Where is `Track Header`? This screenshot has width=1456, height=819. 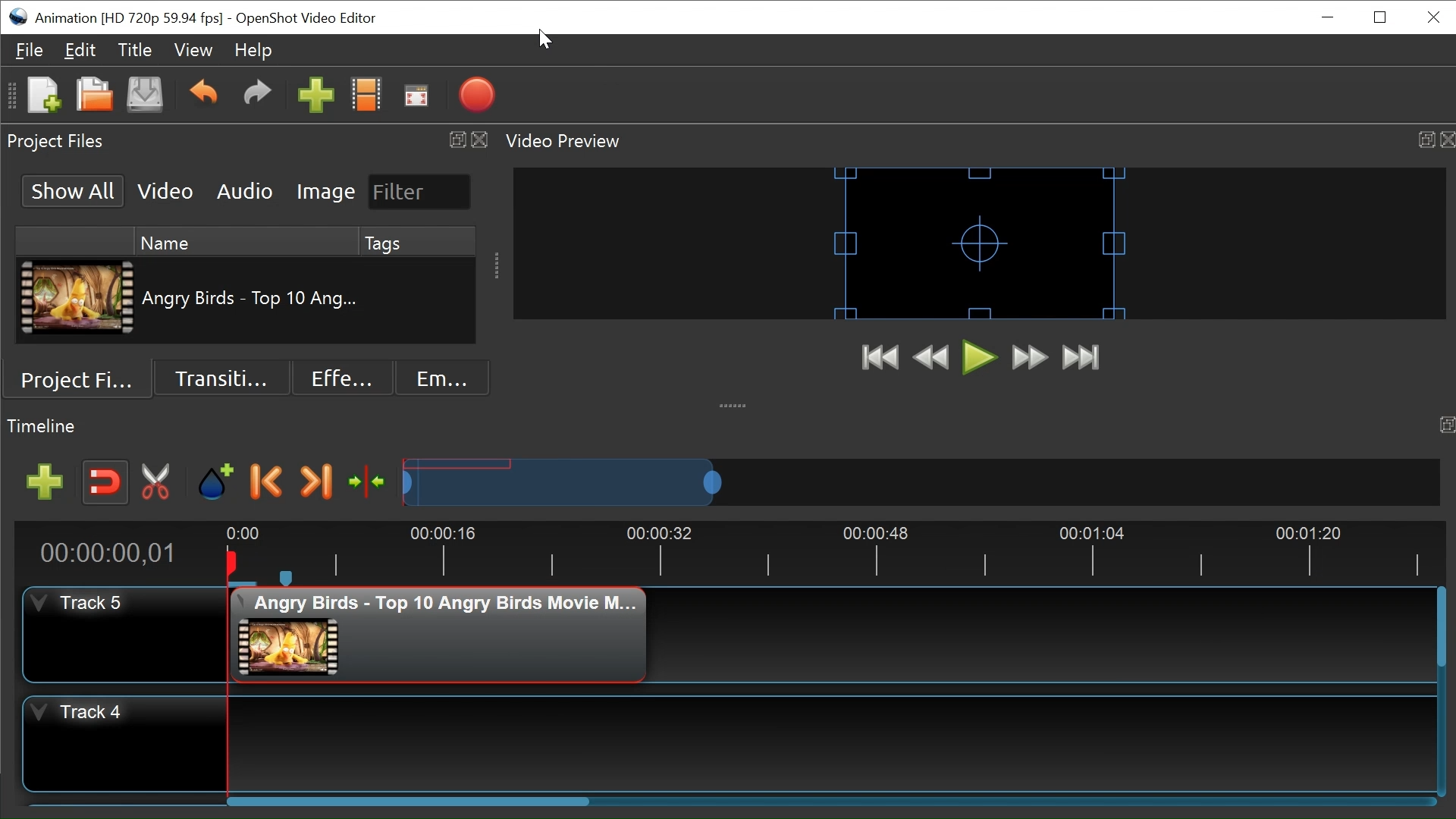
Track Header is located at coordinates (125, 746).